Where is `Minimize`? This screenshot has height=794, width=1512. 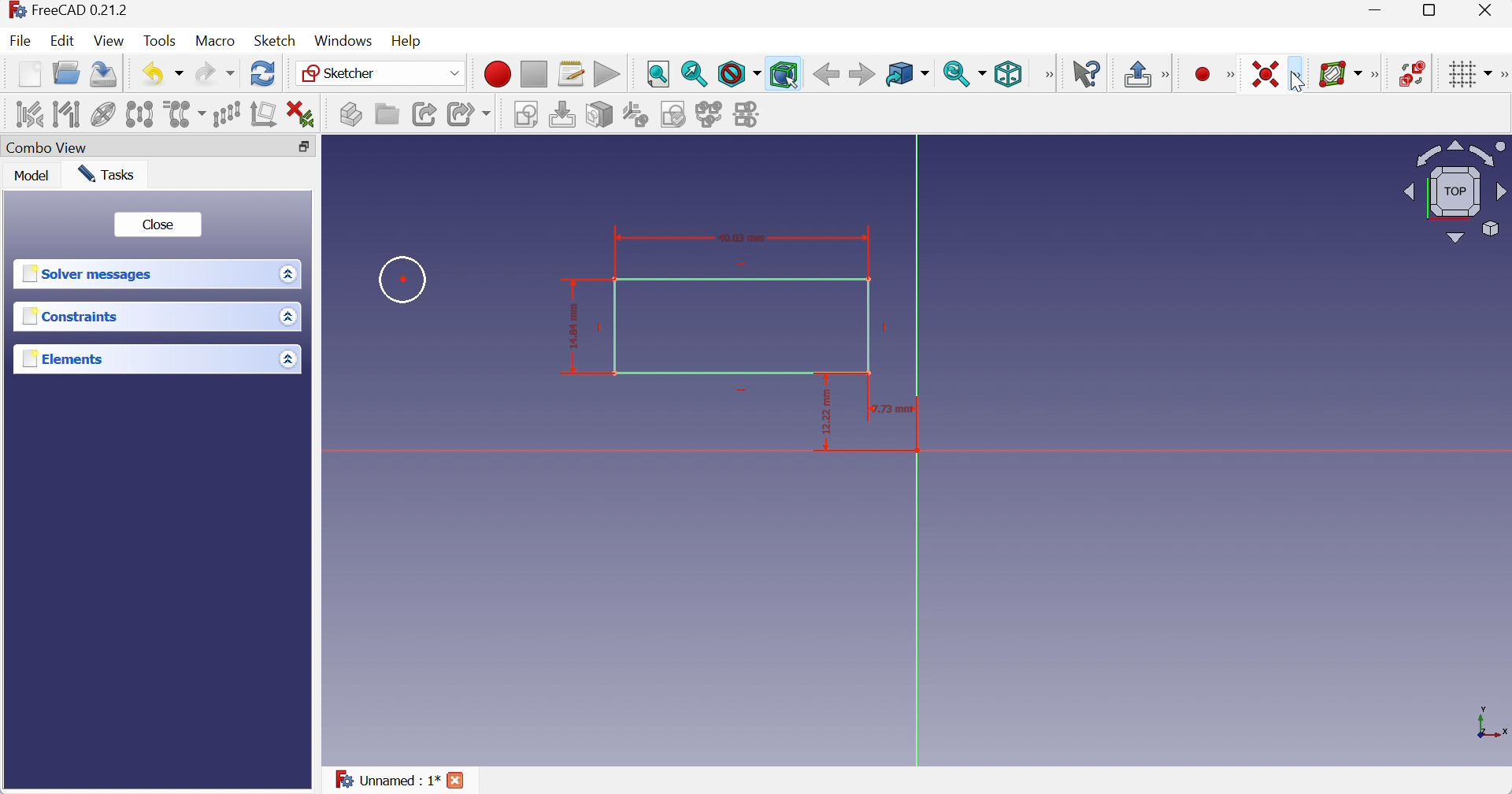
Minimize is located at coordinates (1378, 10).